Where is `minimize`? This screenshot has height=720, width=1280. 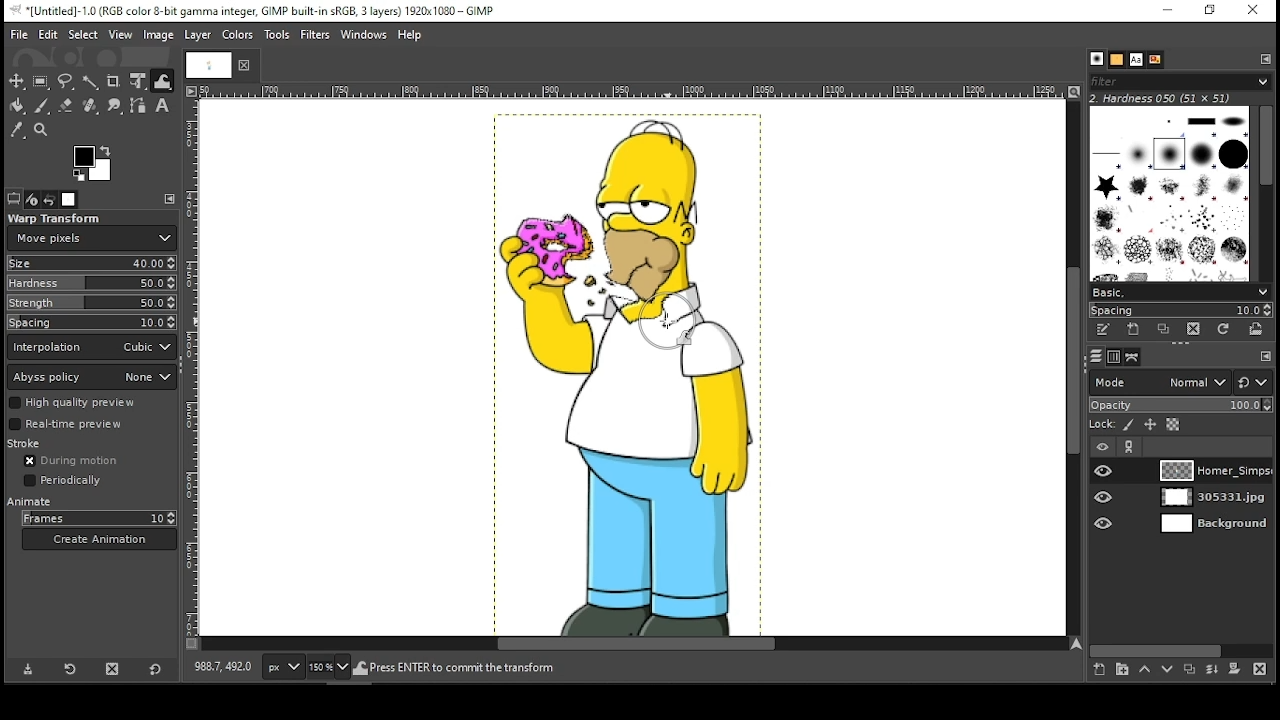
minimize is located at coordinates (1168, 11).